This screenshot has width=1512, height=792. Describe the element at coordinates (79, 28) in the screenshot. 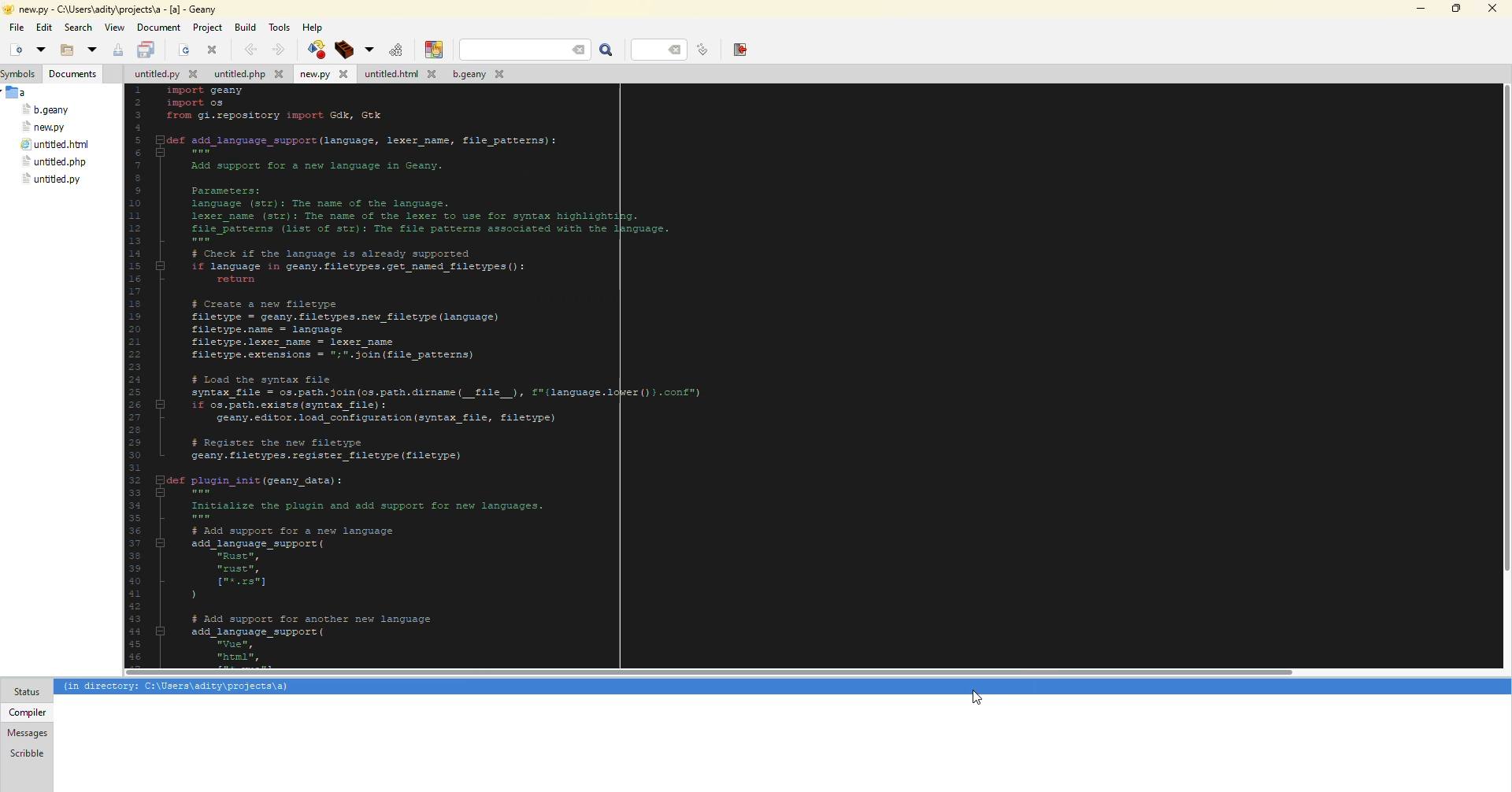

I see `search` at that location.